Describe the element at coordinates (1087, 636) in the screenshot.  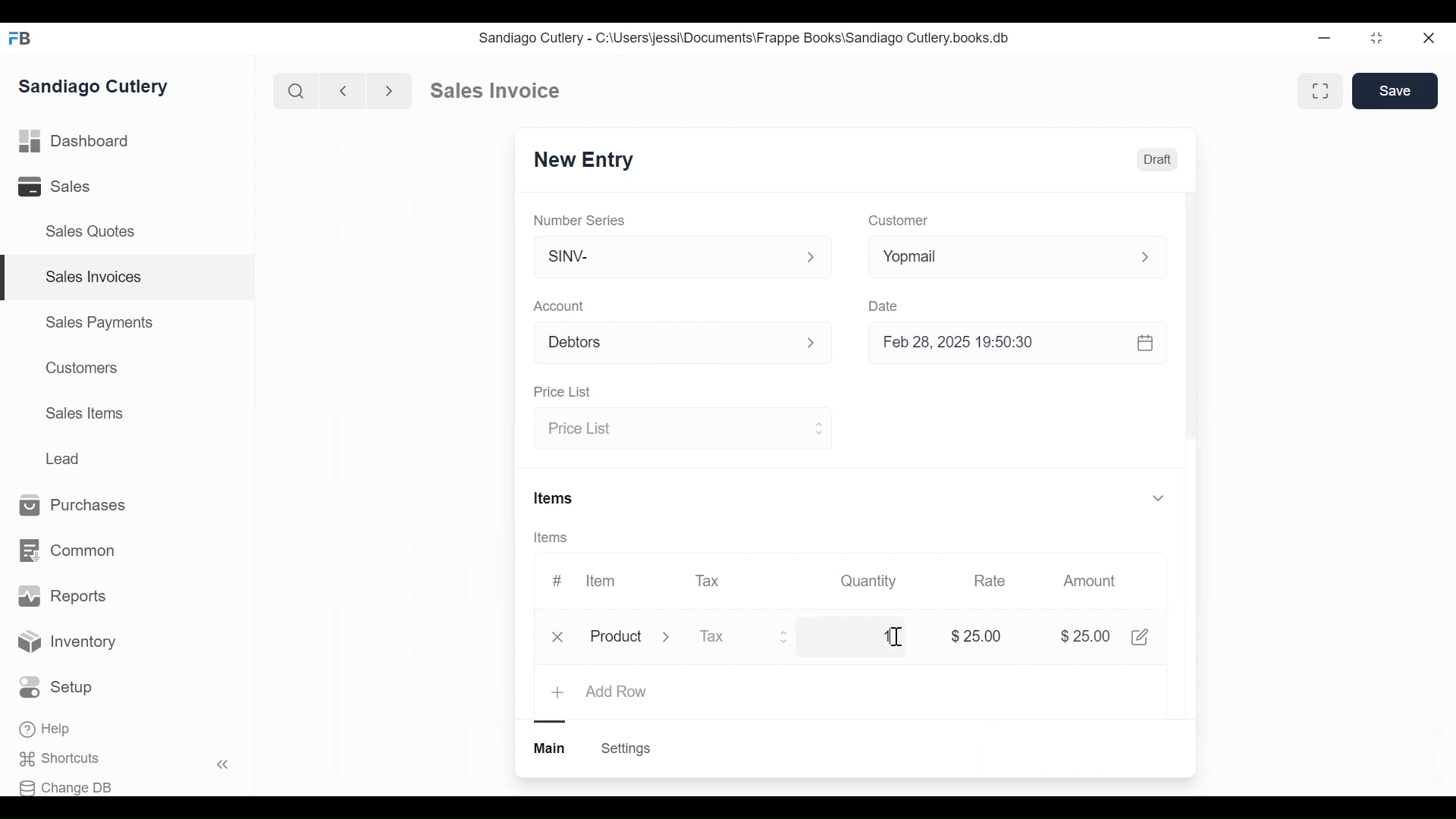
I see `$25.00` at that location.